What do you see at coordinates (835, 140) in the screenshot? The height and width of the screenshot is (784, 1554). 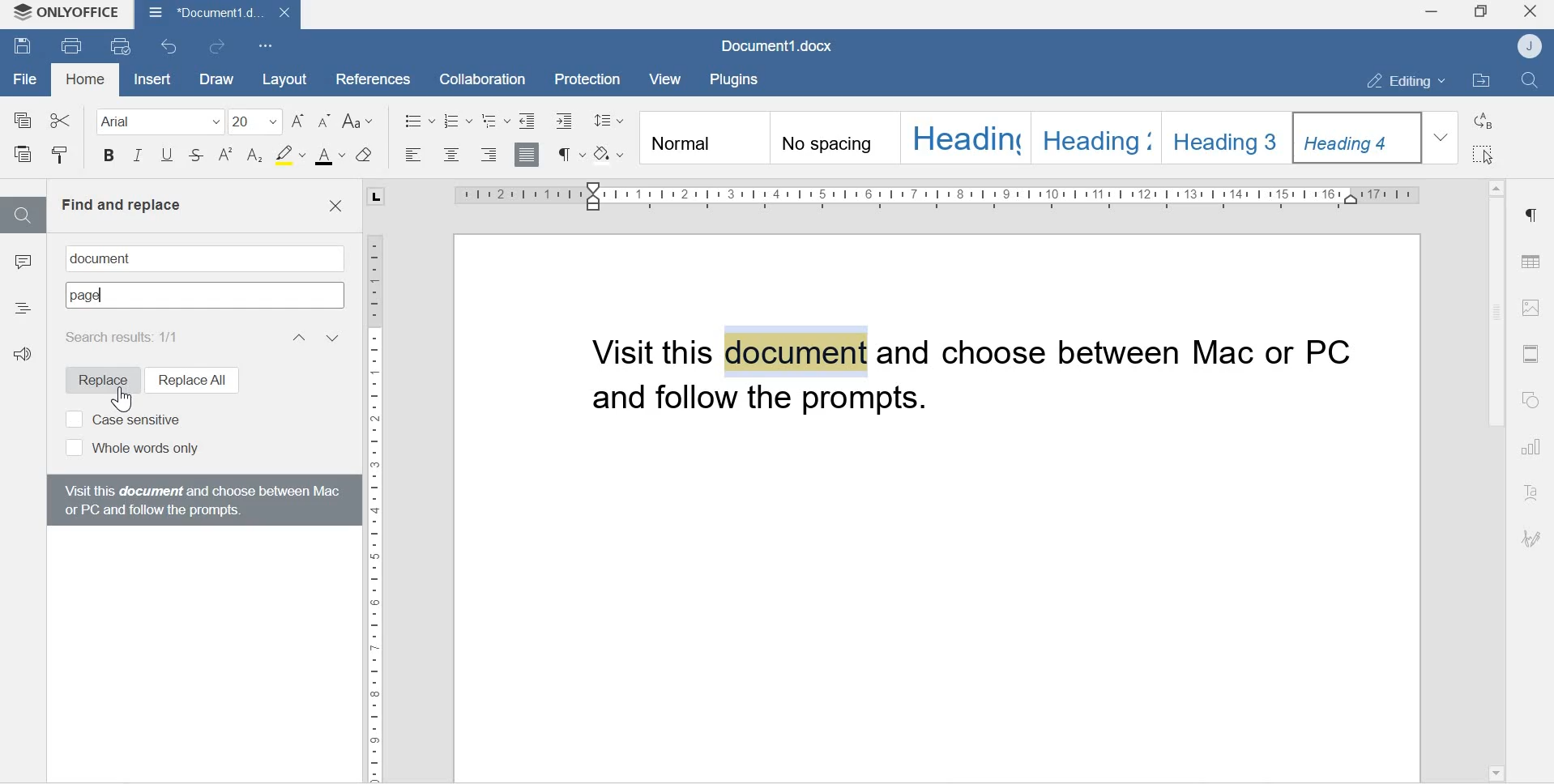 I see `No spacing` at bounding box center [835, 140].